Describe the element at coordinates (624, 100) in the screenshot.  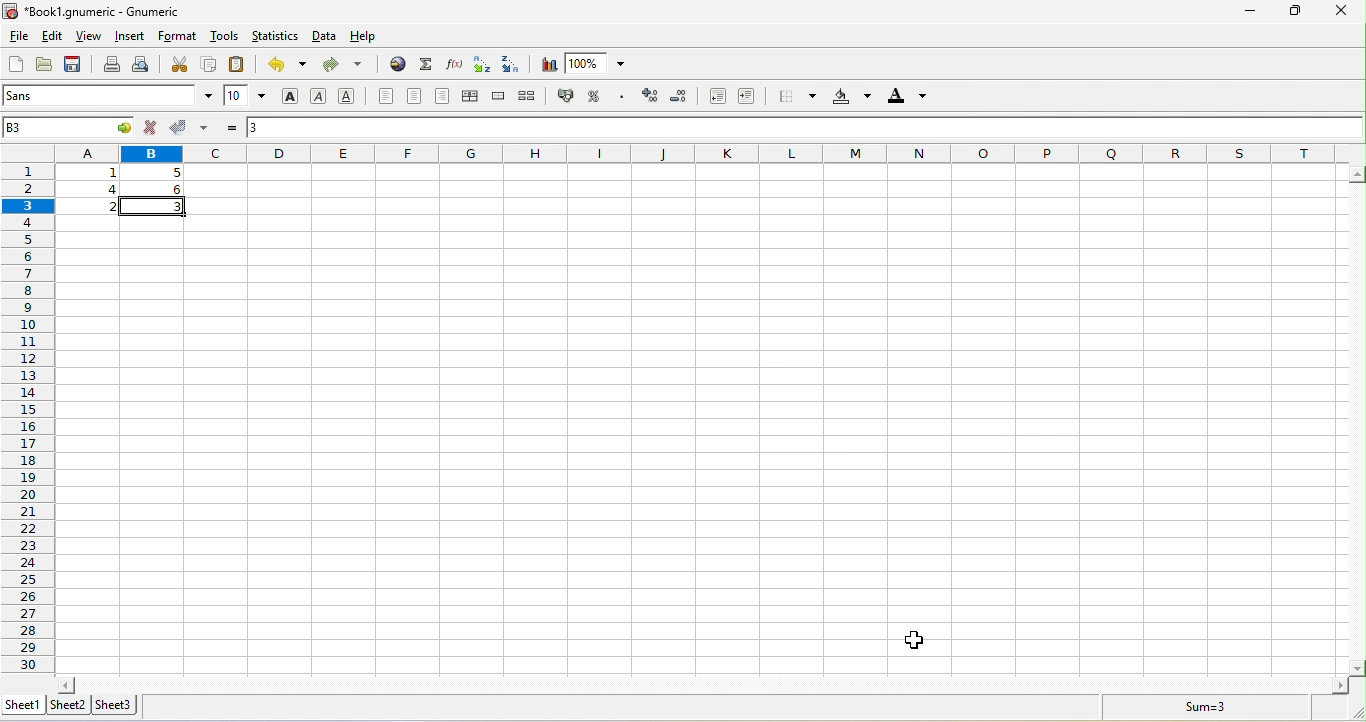
I see `set the format of the selected cells` at that location.